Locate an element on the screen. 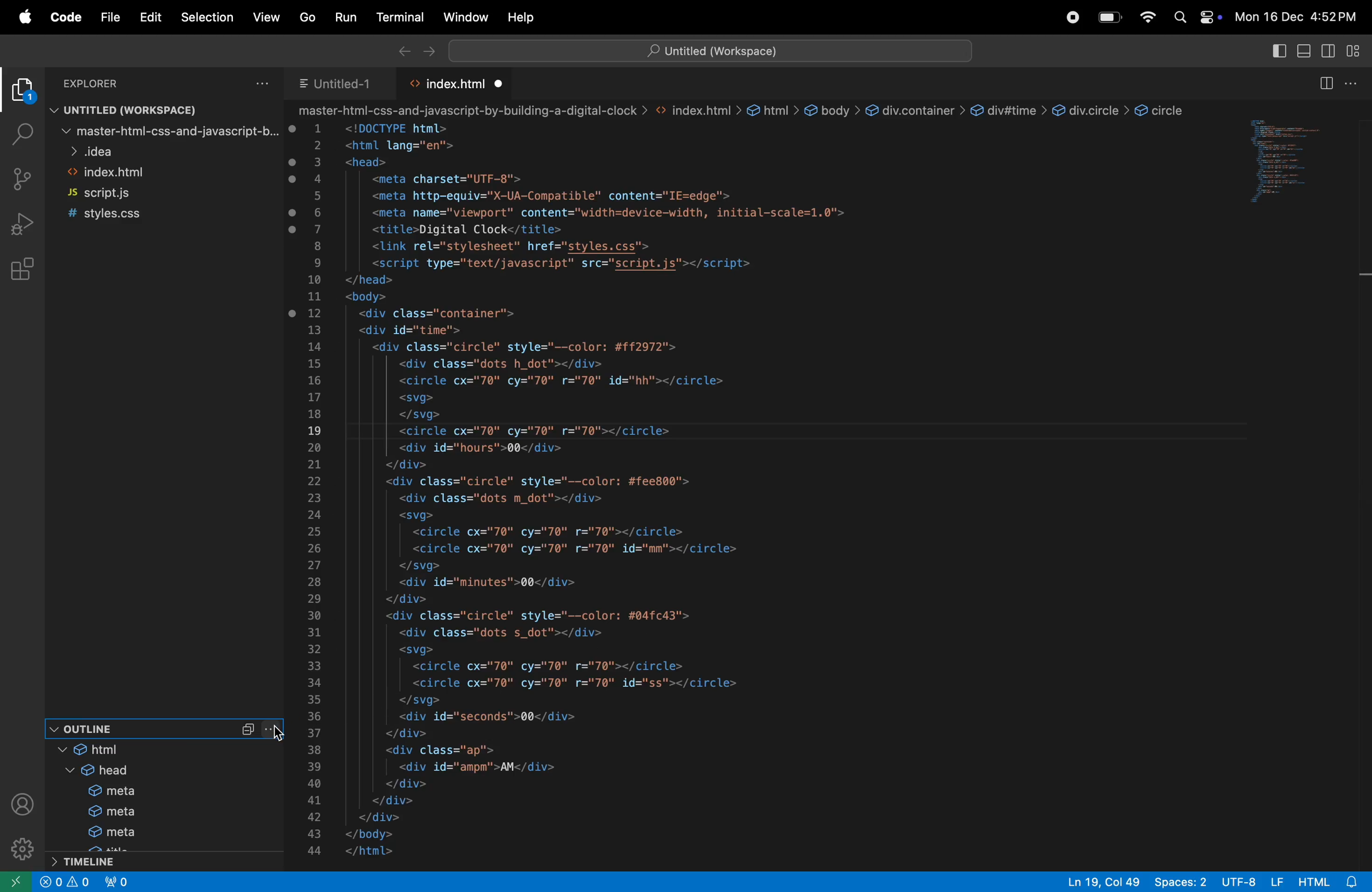 This screenshot has height=892, width=1372. settings is located at coordinates (21, 846).